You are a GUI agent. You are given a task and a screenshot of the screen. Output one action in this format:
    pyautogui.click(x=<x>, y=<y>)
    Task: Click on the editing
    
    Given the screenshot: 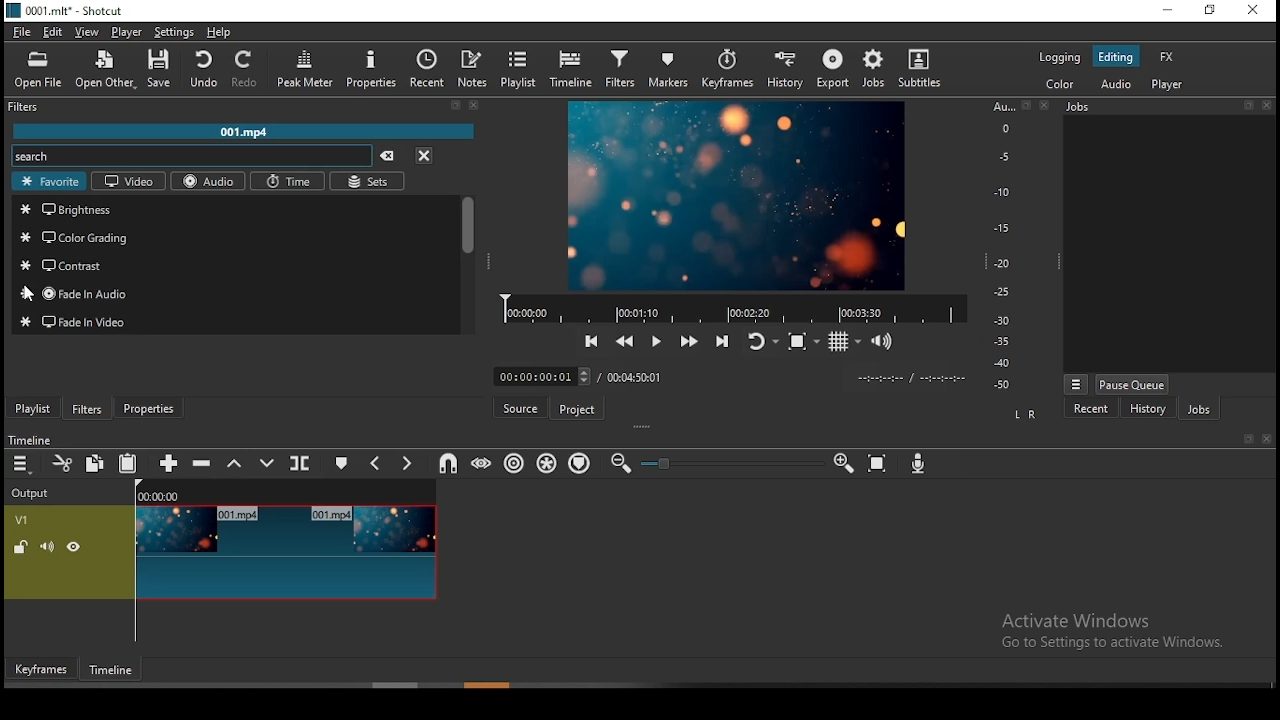 What is the action you would take?
    pyautogui.click(x=1115, y=55)
    